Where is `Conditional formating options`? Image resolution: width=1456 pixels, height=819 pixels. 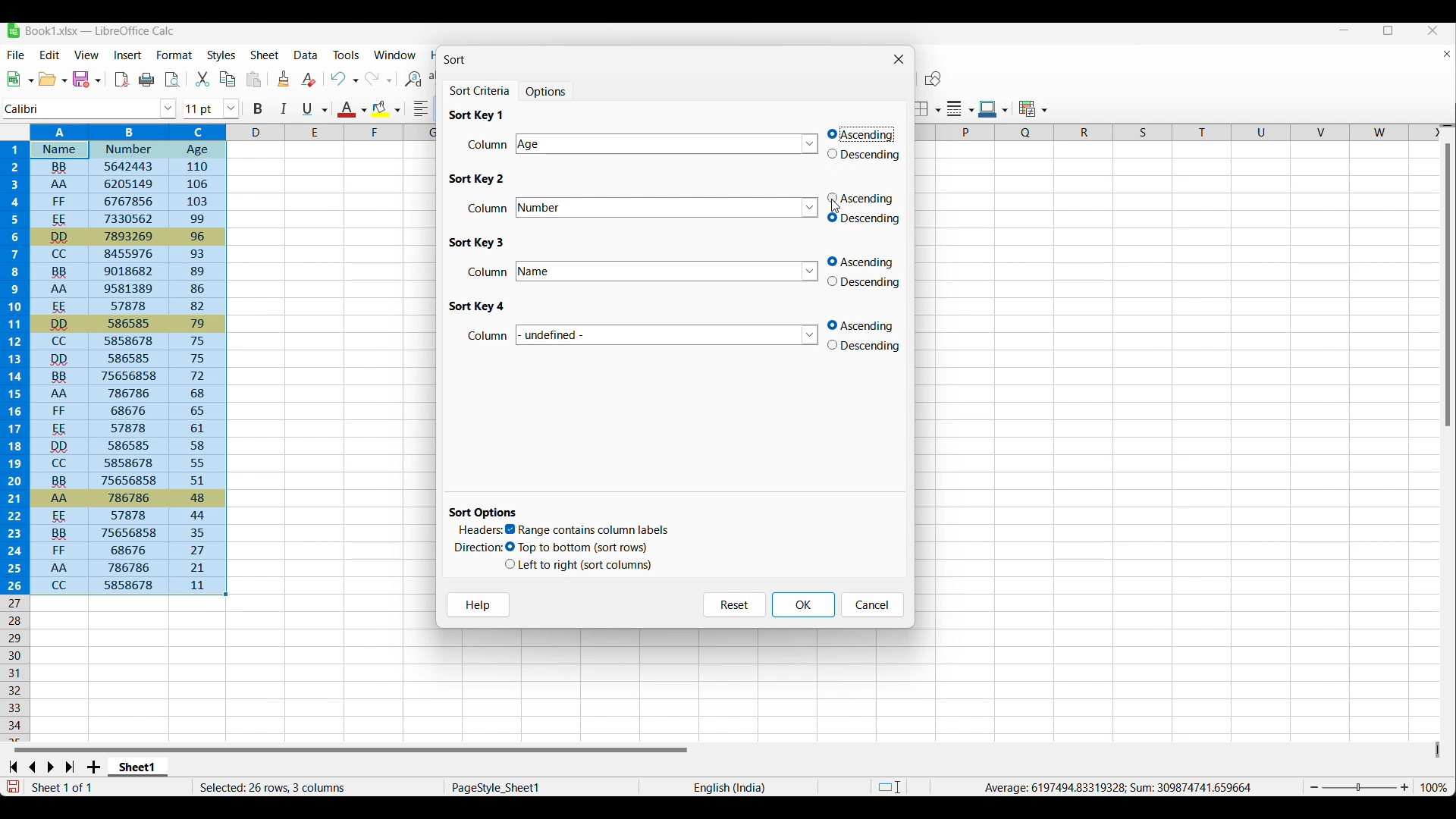 Conditional formating options is located at coordinates (1033, 108).